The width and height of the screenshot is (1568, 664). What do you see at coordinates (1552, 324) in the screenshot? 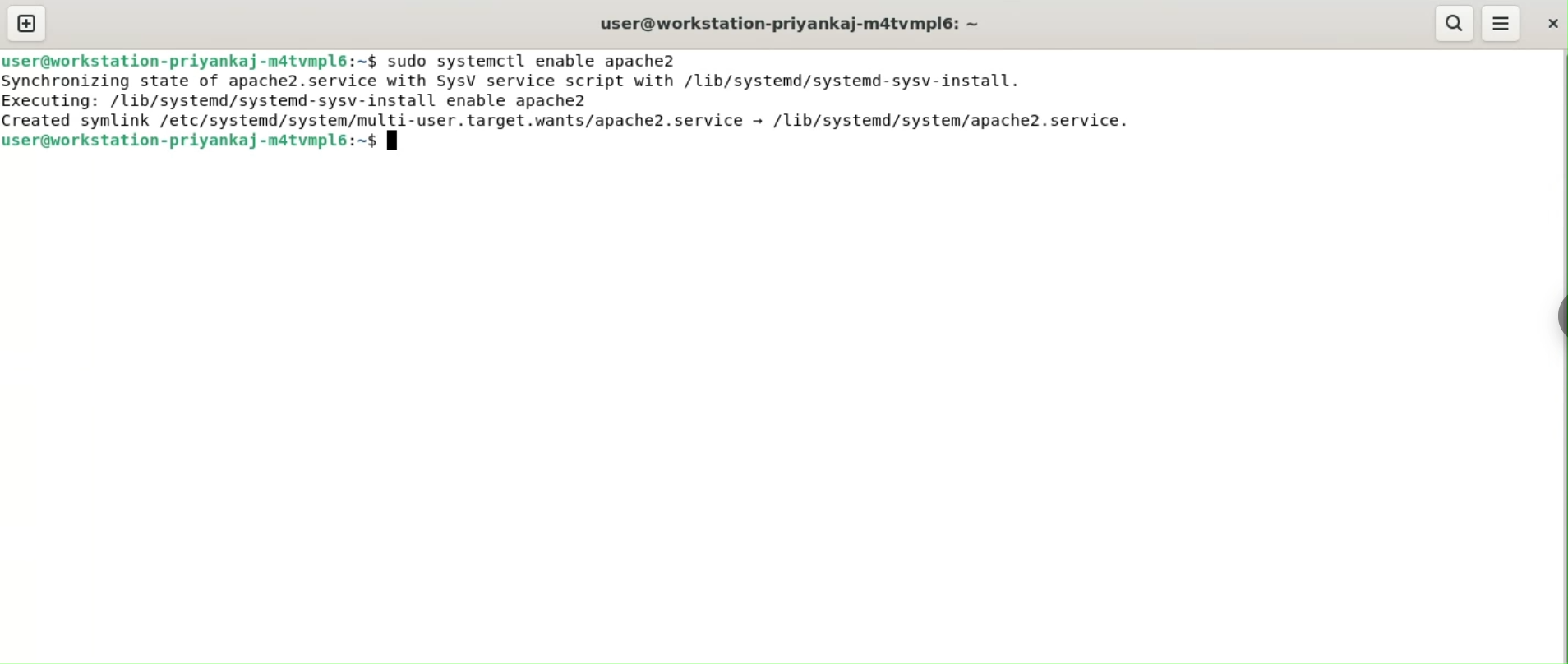
I see `Toggle Button` at bounding box center [1552, 324].